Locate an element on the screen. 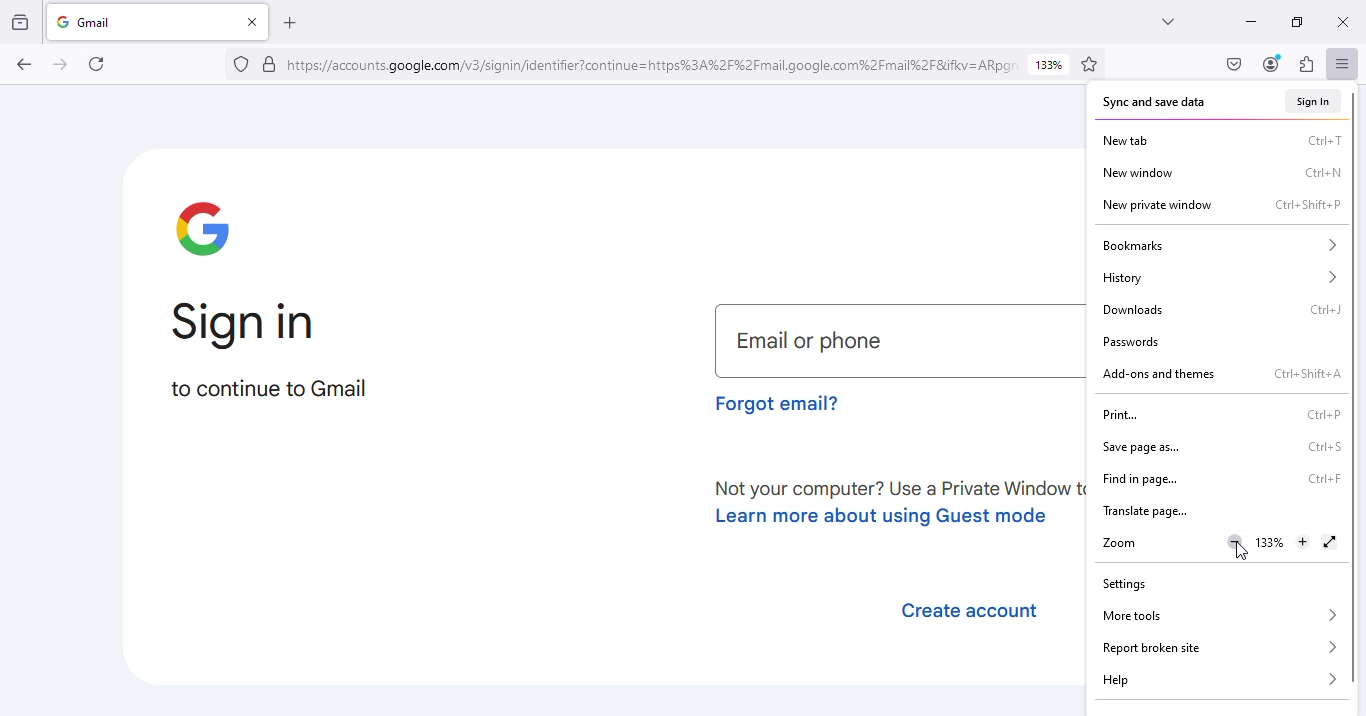 The width and height of the screenshot is (1366, 716). shortcut for new tab is located at coordinates (1323, 139).